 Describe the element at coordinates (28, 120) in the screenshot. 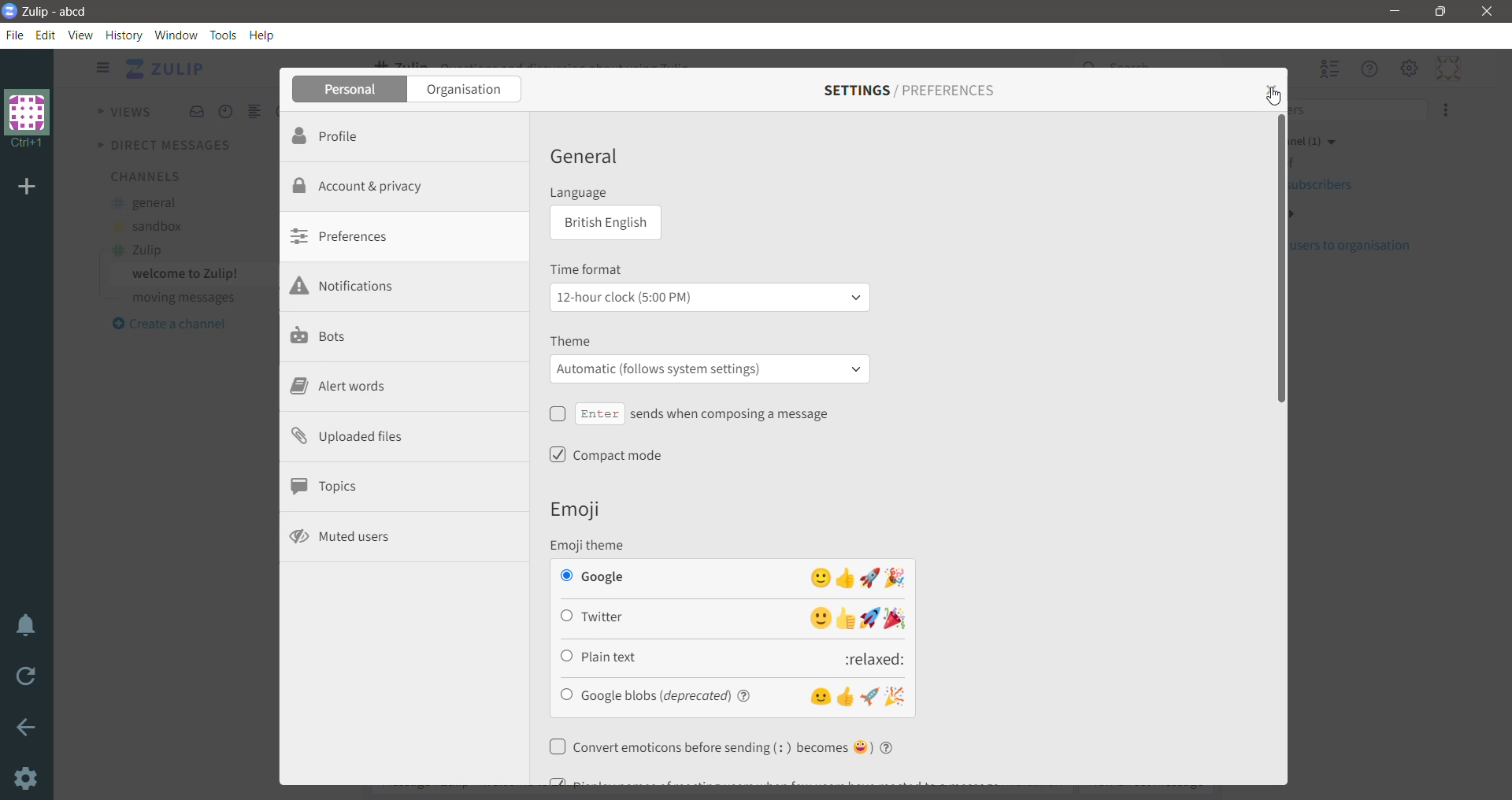

I see `Organization Name` at that location.